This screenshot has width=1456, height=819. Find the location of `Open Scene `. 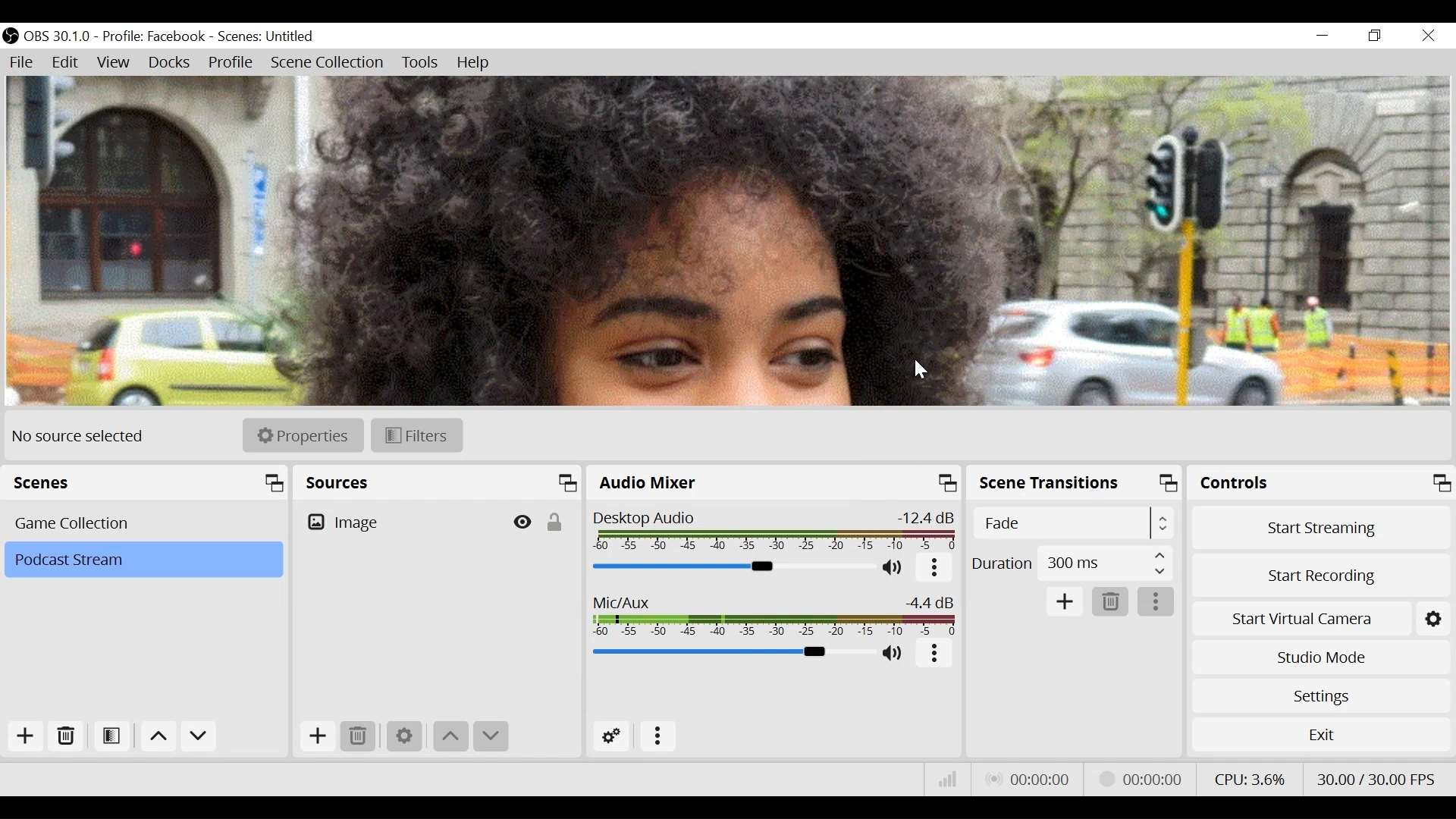

Open Scene  is located at coordinates (110, 737).